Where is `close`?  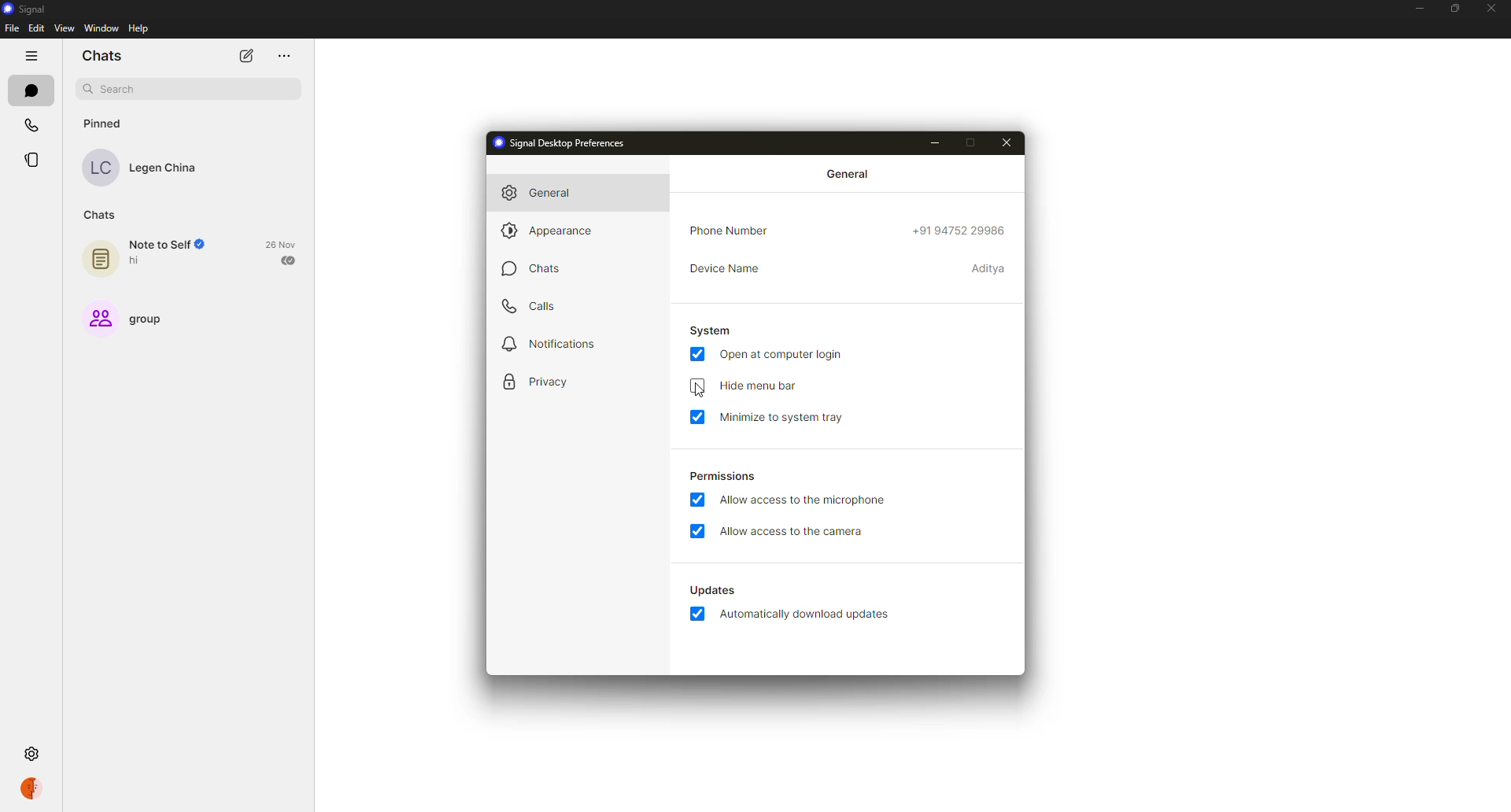 close is located at coordinates (1491, 8).